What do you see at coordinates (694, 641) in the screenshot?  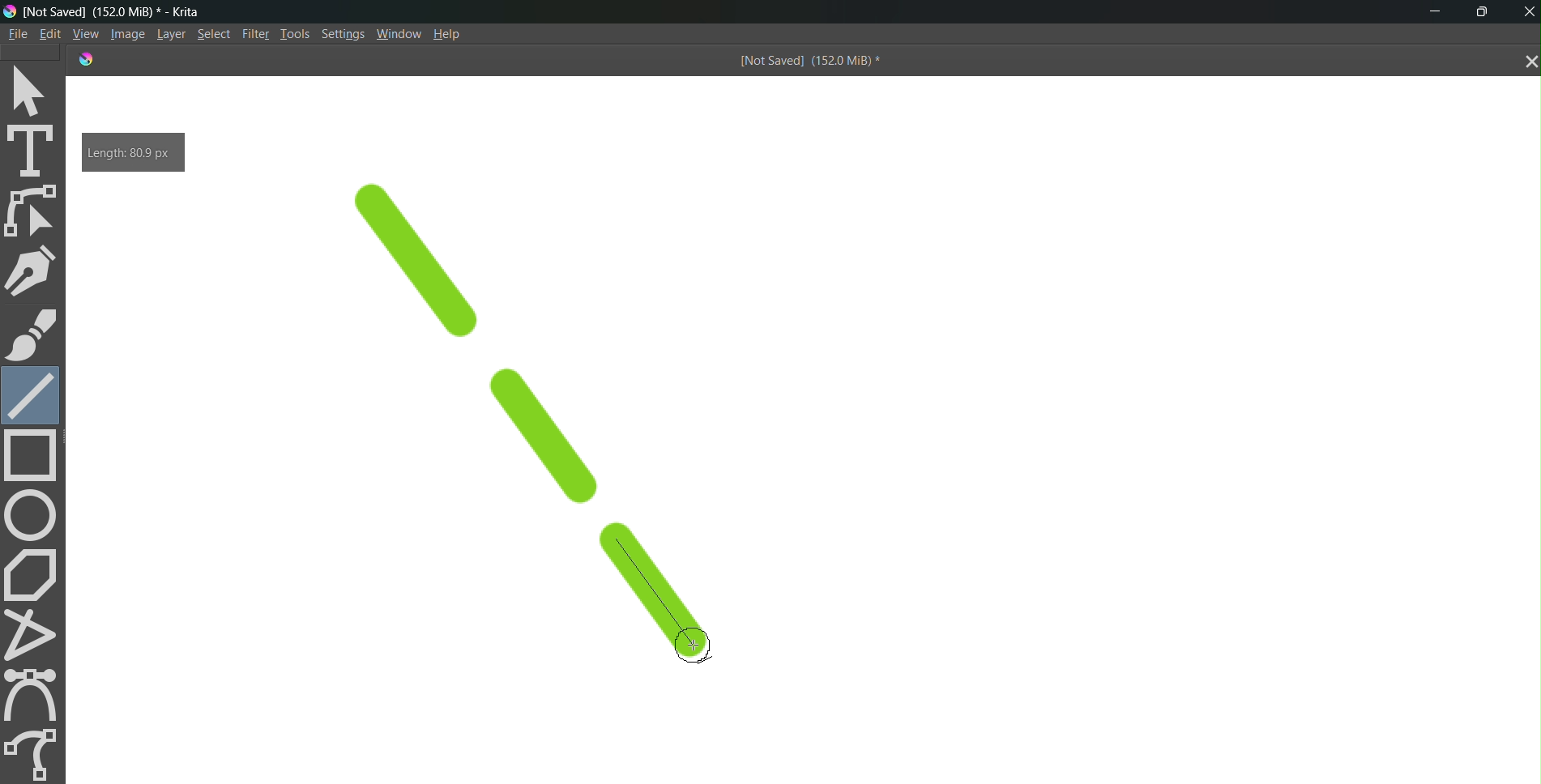 I see `cursor` at bounding box center [694, 641].